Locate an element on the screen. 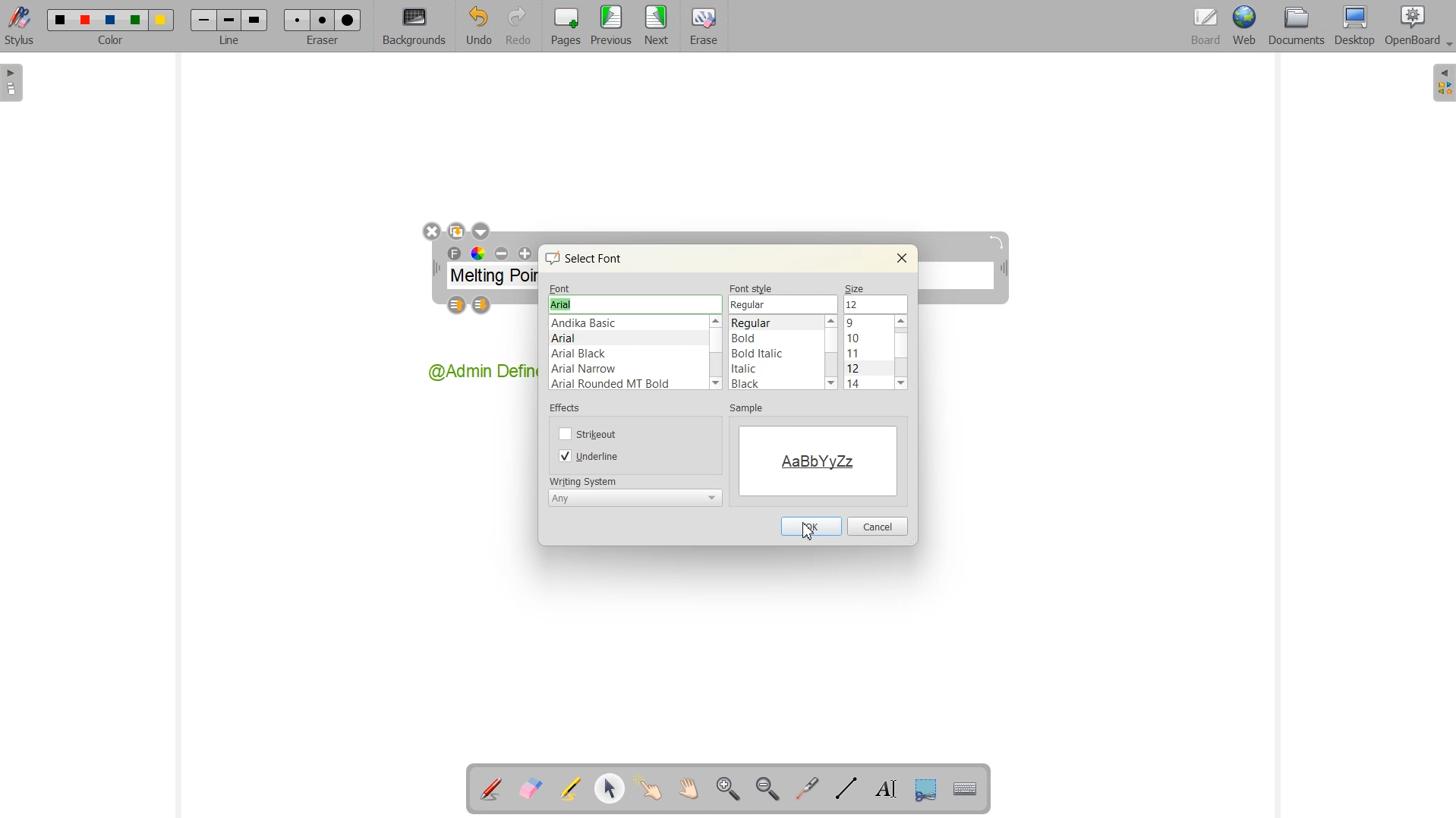 This screenshot has width=1456, height=818. Undo is located at coordinates (478, 26).